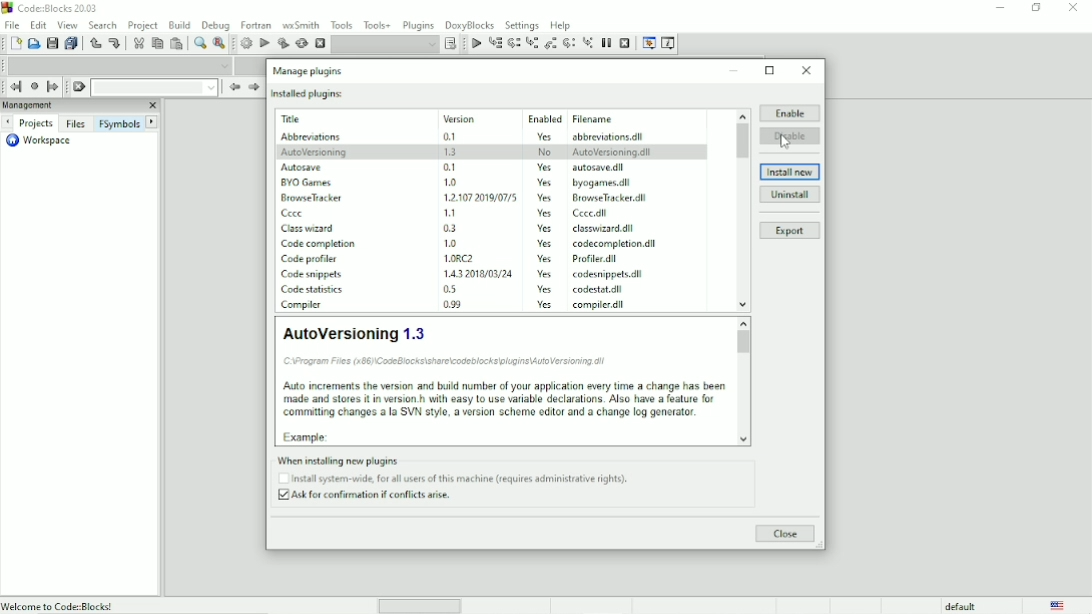  Describe the element at coordinates (452, 361) in the screenshot. I see `Plugin location` at that location.